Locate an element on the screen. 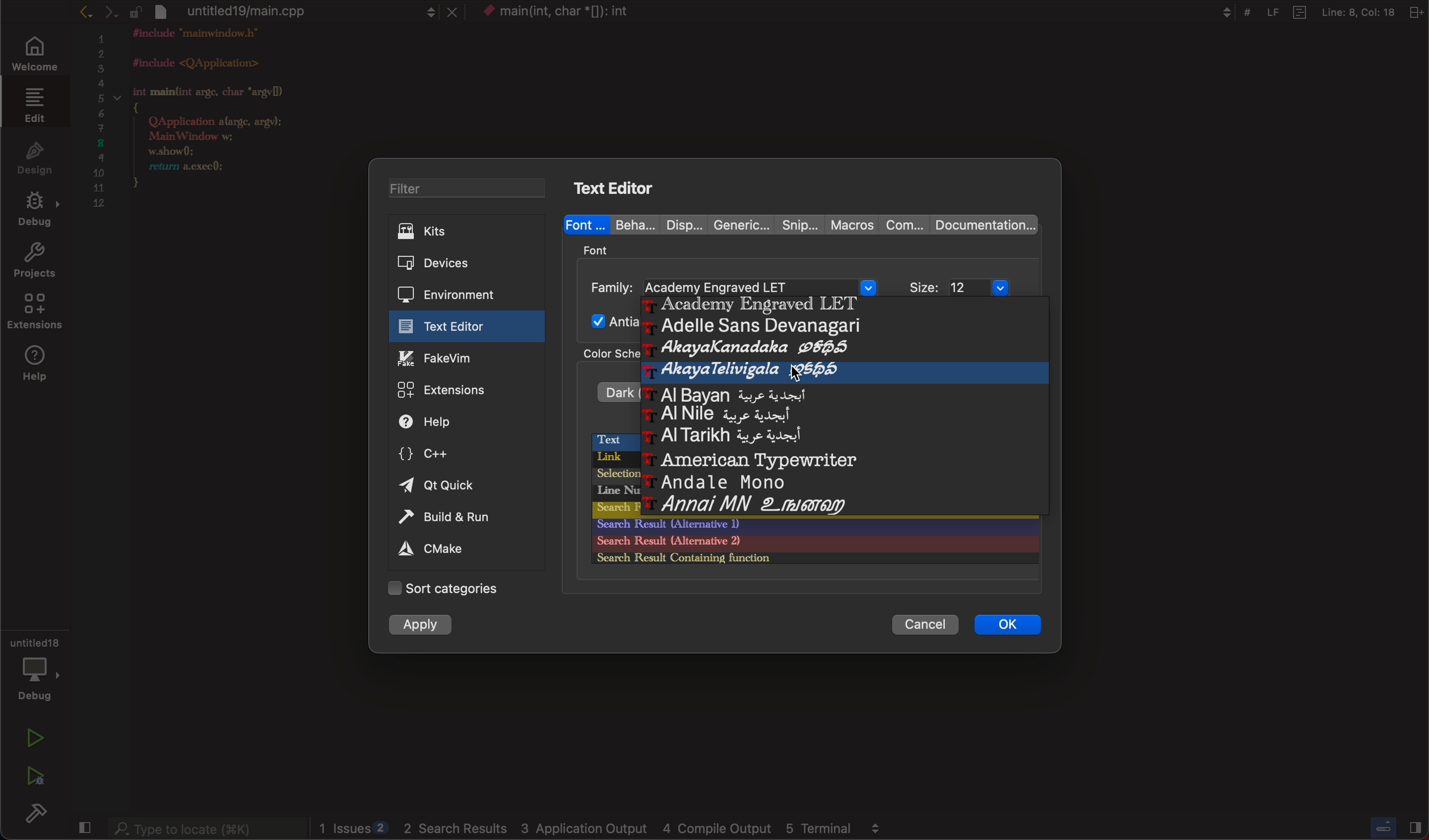 This screenshot has width=1429, height=840. Categories is located at coordinates (454, 589).